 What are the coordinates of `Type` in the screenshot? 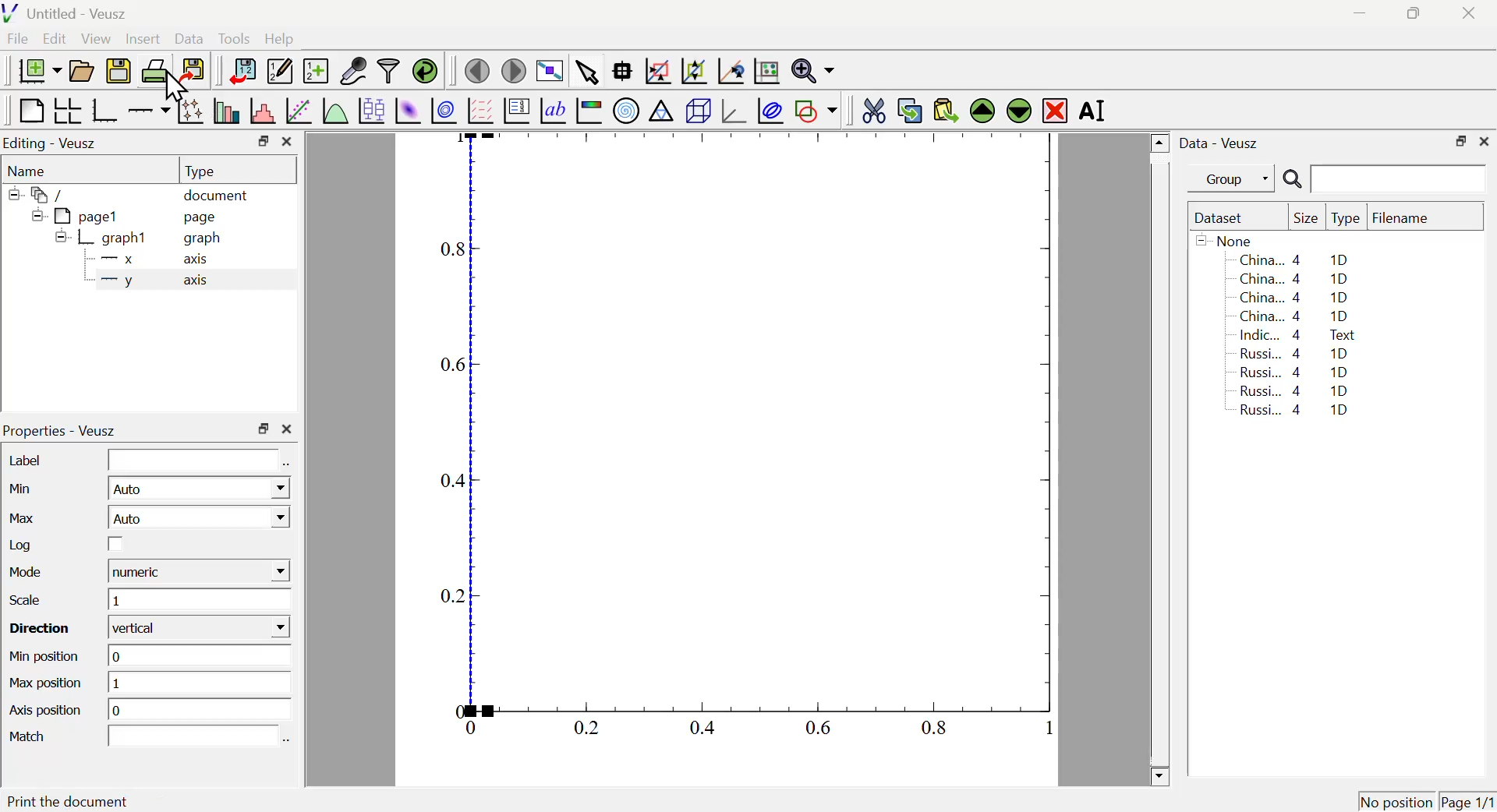 It's located at (1346, 219).